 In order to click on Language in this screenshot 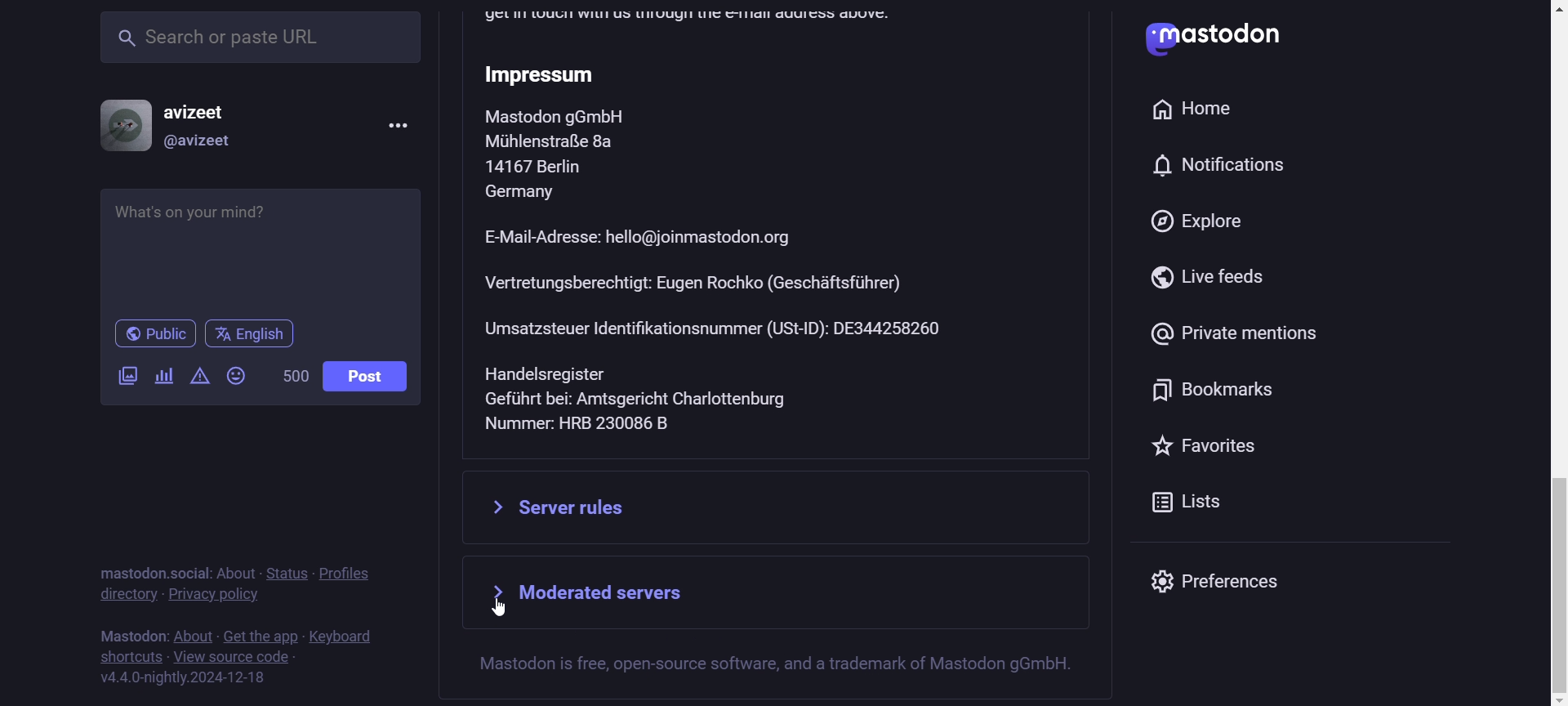, I will do `click(249, 334)`.